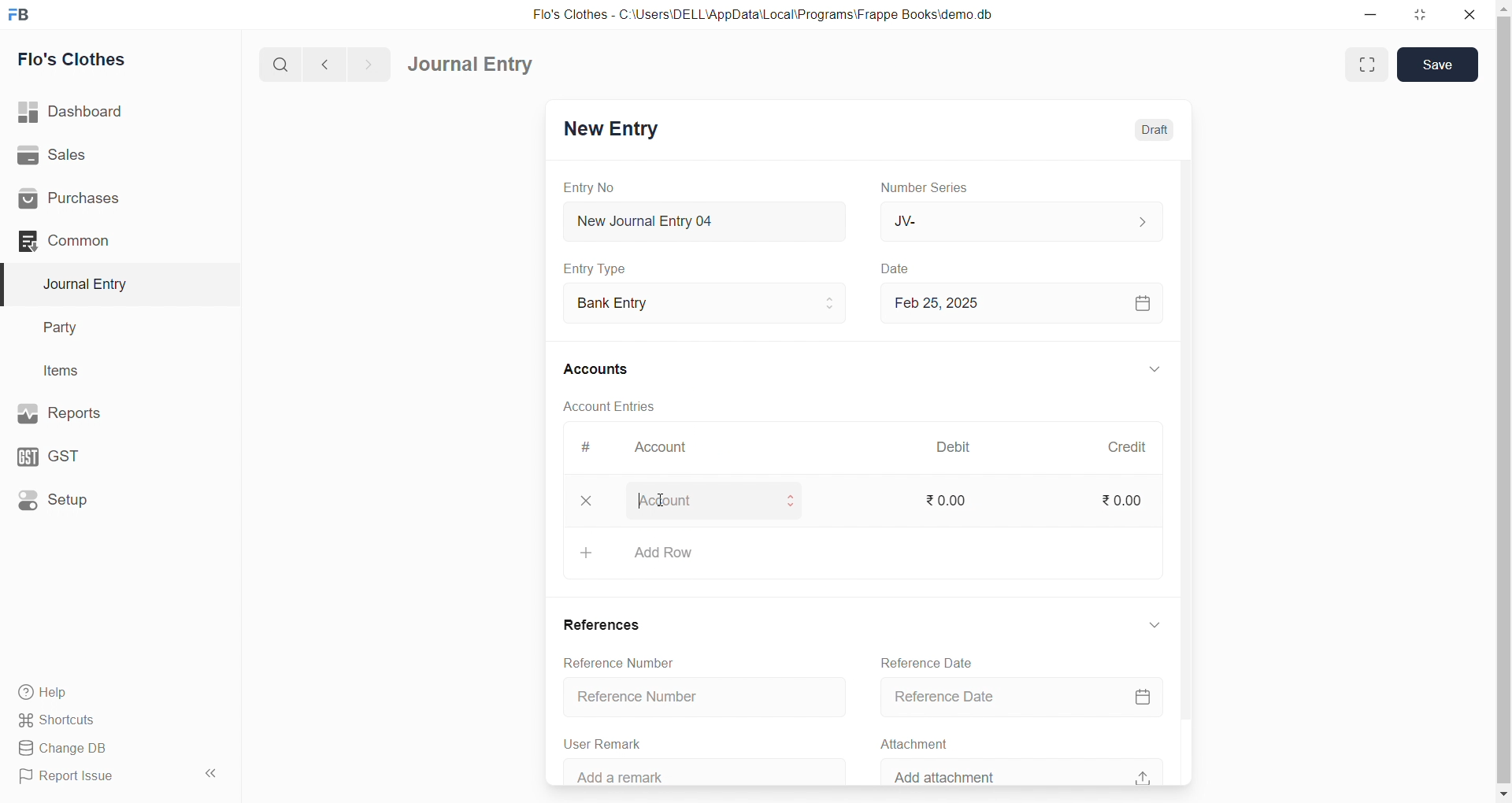 This screenshot has height=803, width=1512. What do you see at coordinates (109, 453) in the screenshot?
I see `GST` at bounding box center [109, 453].